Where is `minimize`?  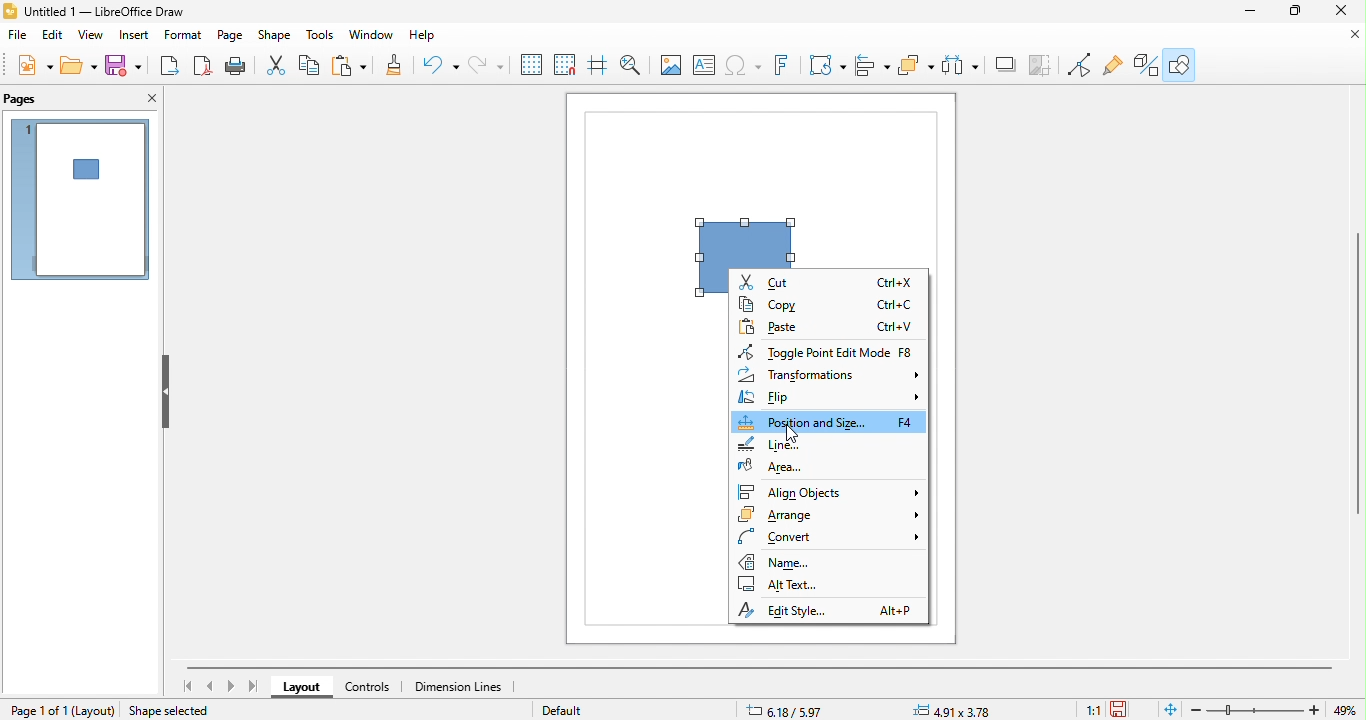 minimize is located at coordinates (1348, 34).